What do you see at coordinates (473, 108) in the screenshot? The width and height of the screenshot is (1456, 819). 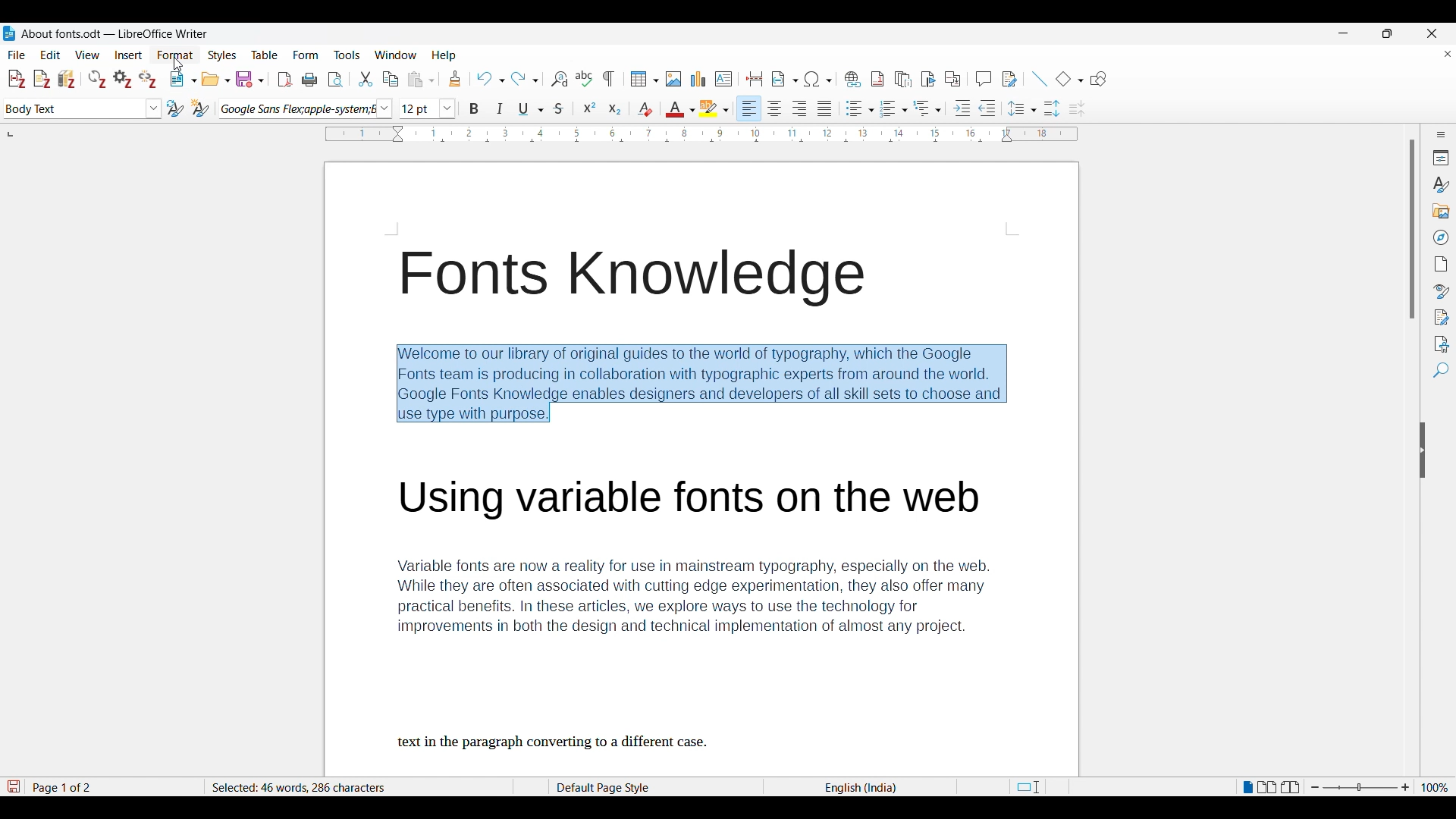 I see `Bold` at bounding box center [473, 108].